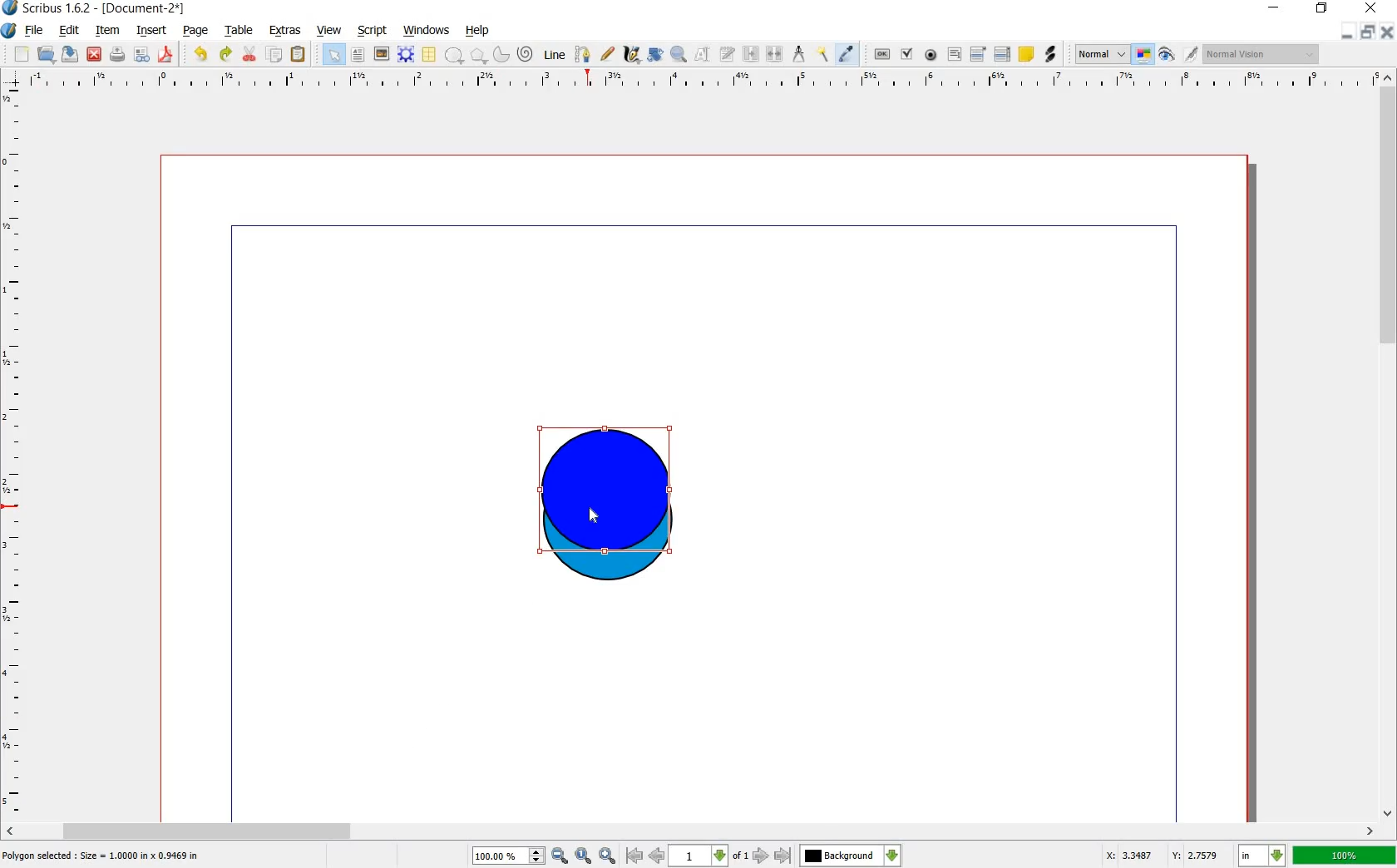 This screenshot has width=1397, height=868. I want to click on minimize, so click(1274, 7).